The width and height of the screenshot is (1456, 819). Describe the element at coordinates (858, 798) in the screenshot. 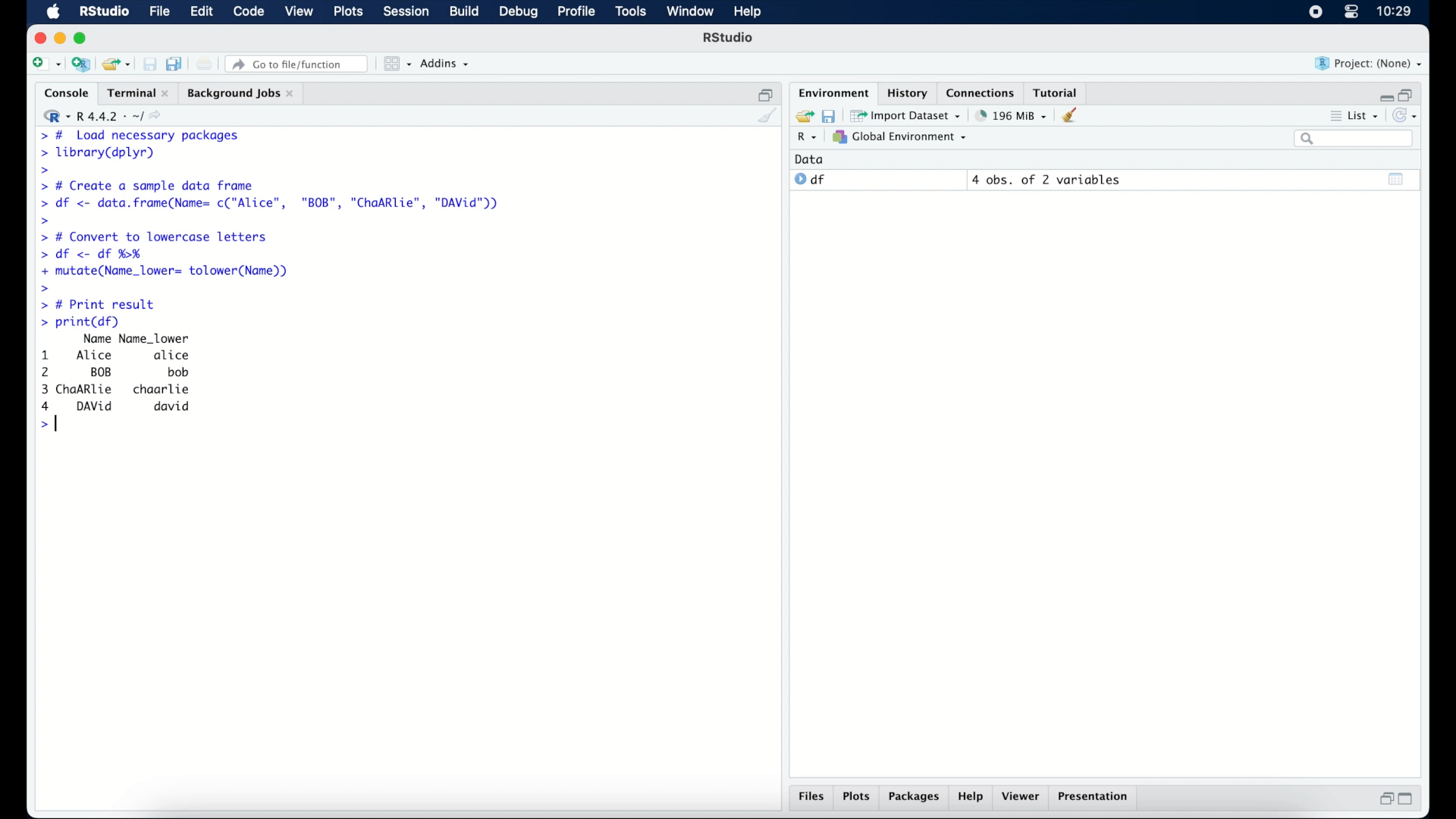

I see `plots` at that location.